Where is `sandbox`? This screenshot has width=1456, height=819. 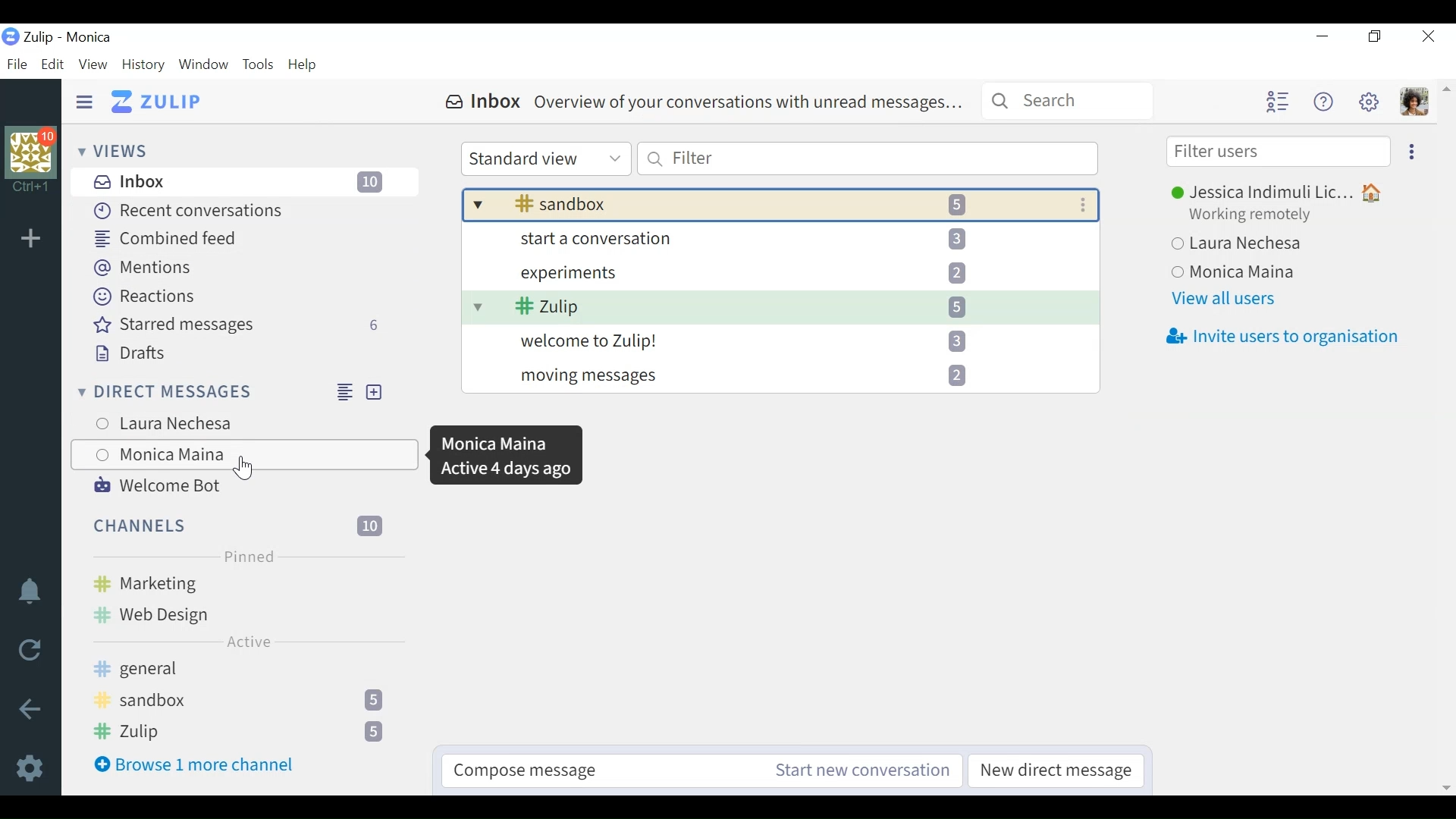 sandbox is located at coordinates (243, 699).